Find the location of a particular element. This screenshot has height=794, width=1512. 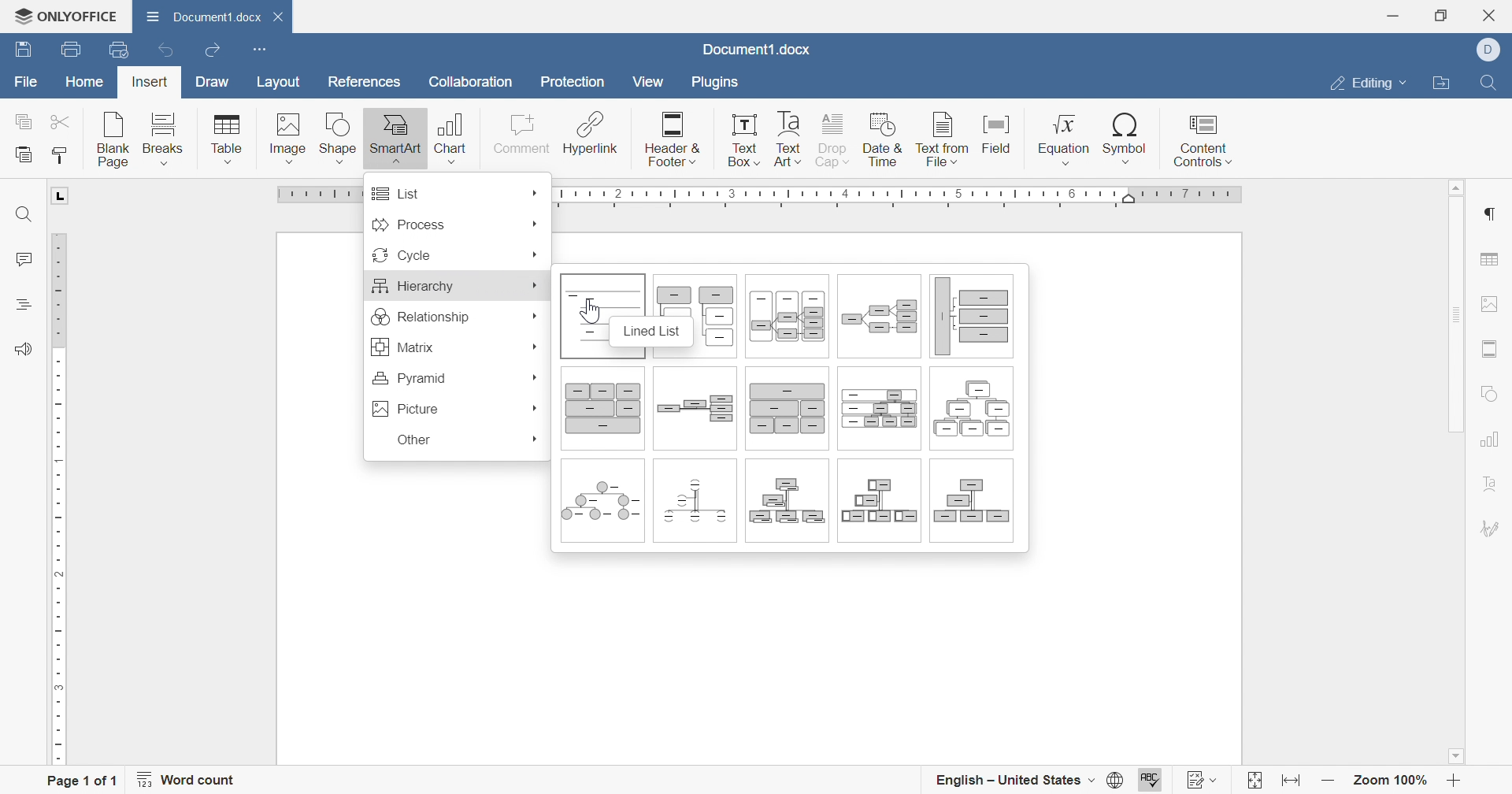

Horizontal organization chart is located at coordinates (696, 410).